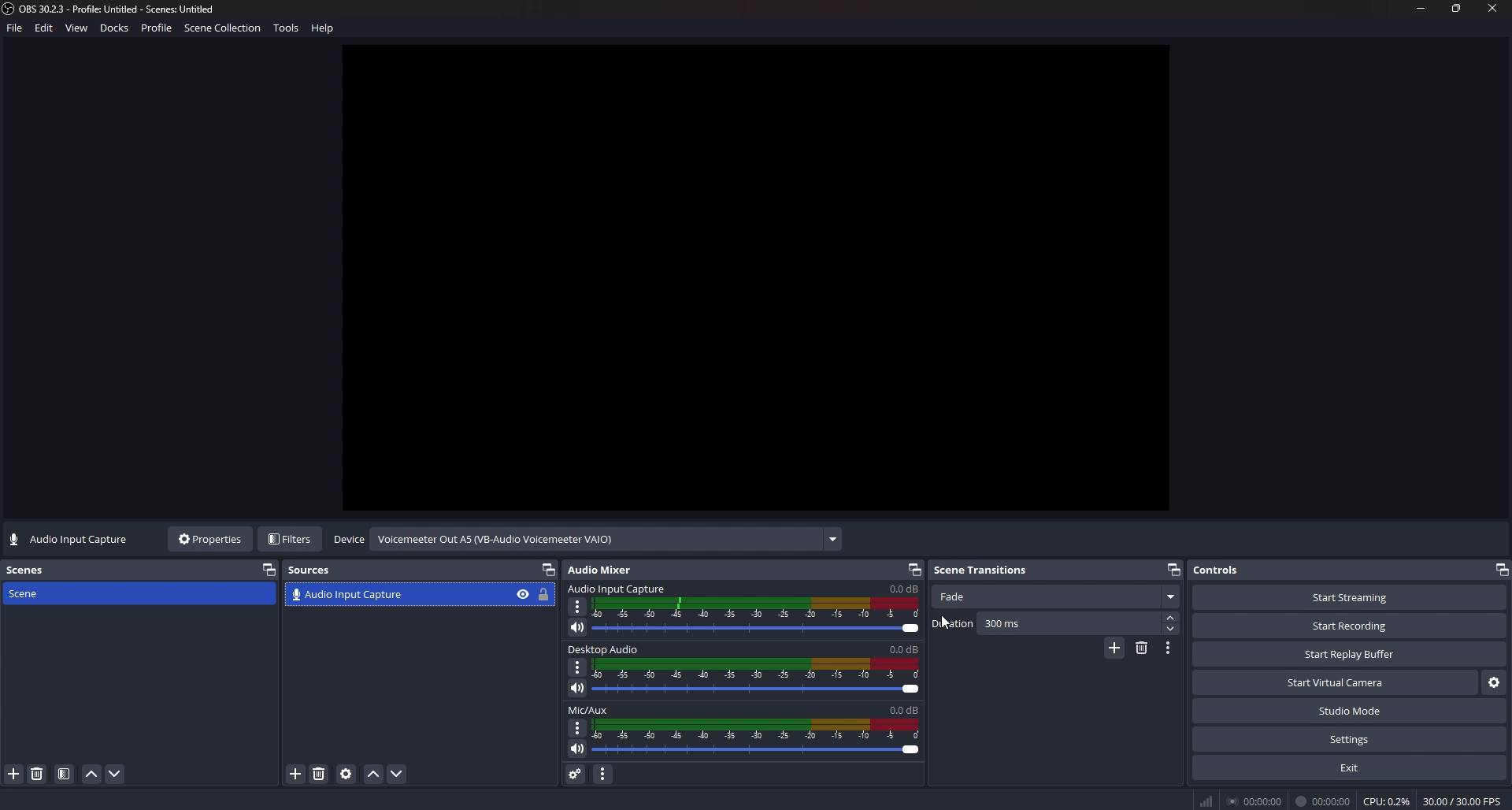 This screenshot has height=810, width=1512. What do you see at coordinates (212, 539) in the screenshot?
I see `properties` at bounding box center [212, 539].